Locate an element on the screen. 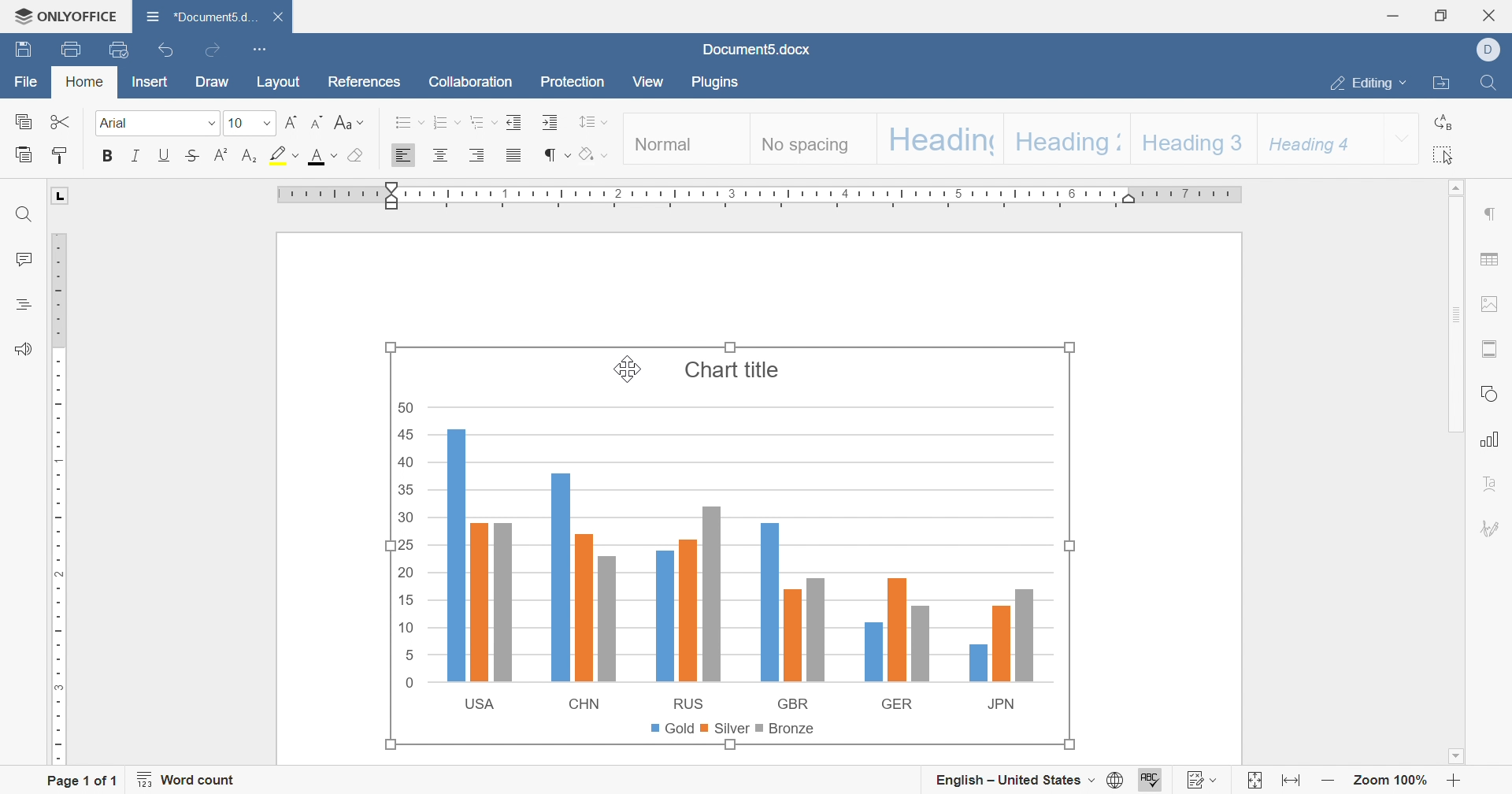 The image size is (1512, 794). Subscript is located at coordinates (250, 155).